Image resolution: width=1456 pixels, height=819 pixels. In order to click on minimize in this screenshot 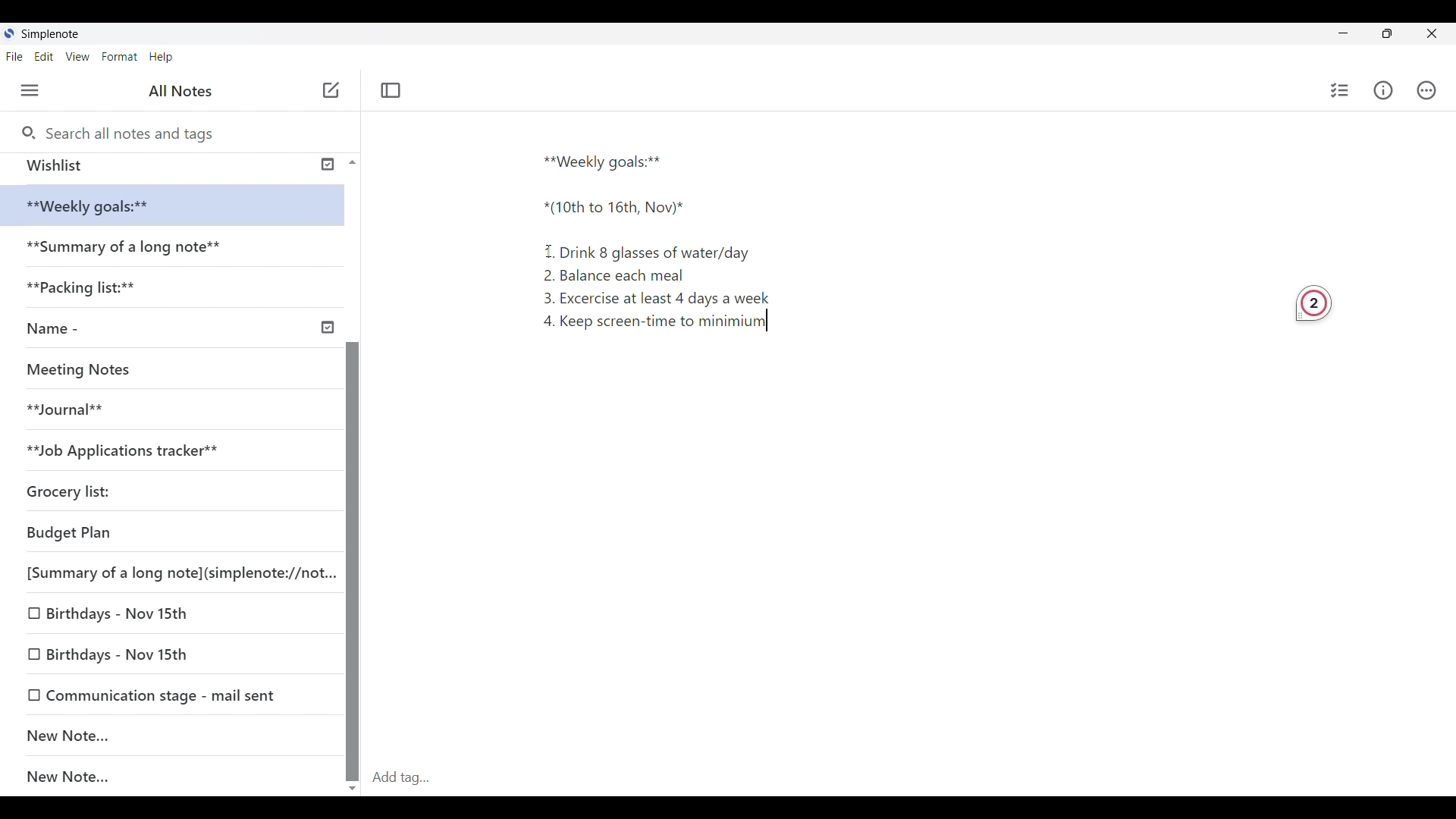, I will do `click(1354, 36)`.